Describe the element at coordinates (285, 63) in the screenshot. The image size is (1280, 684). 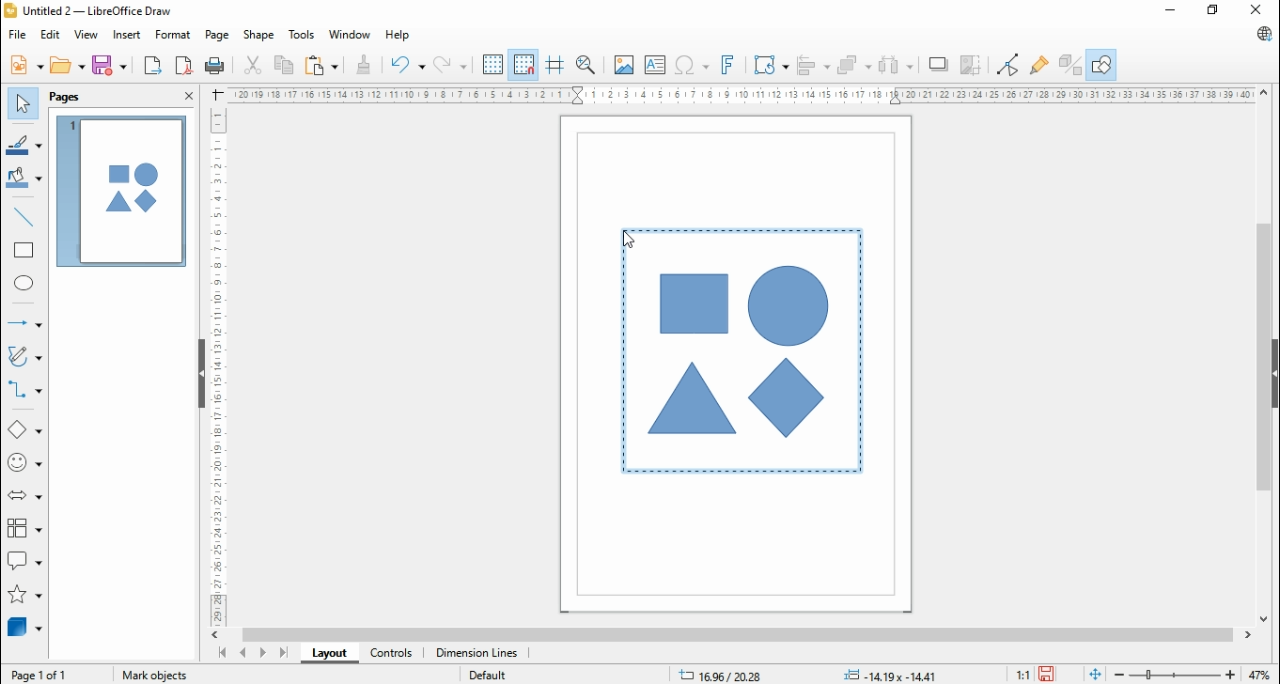
I see `copy` at that location.